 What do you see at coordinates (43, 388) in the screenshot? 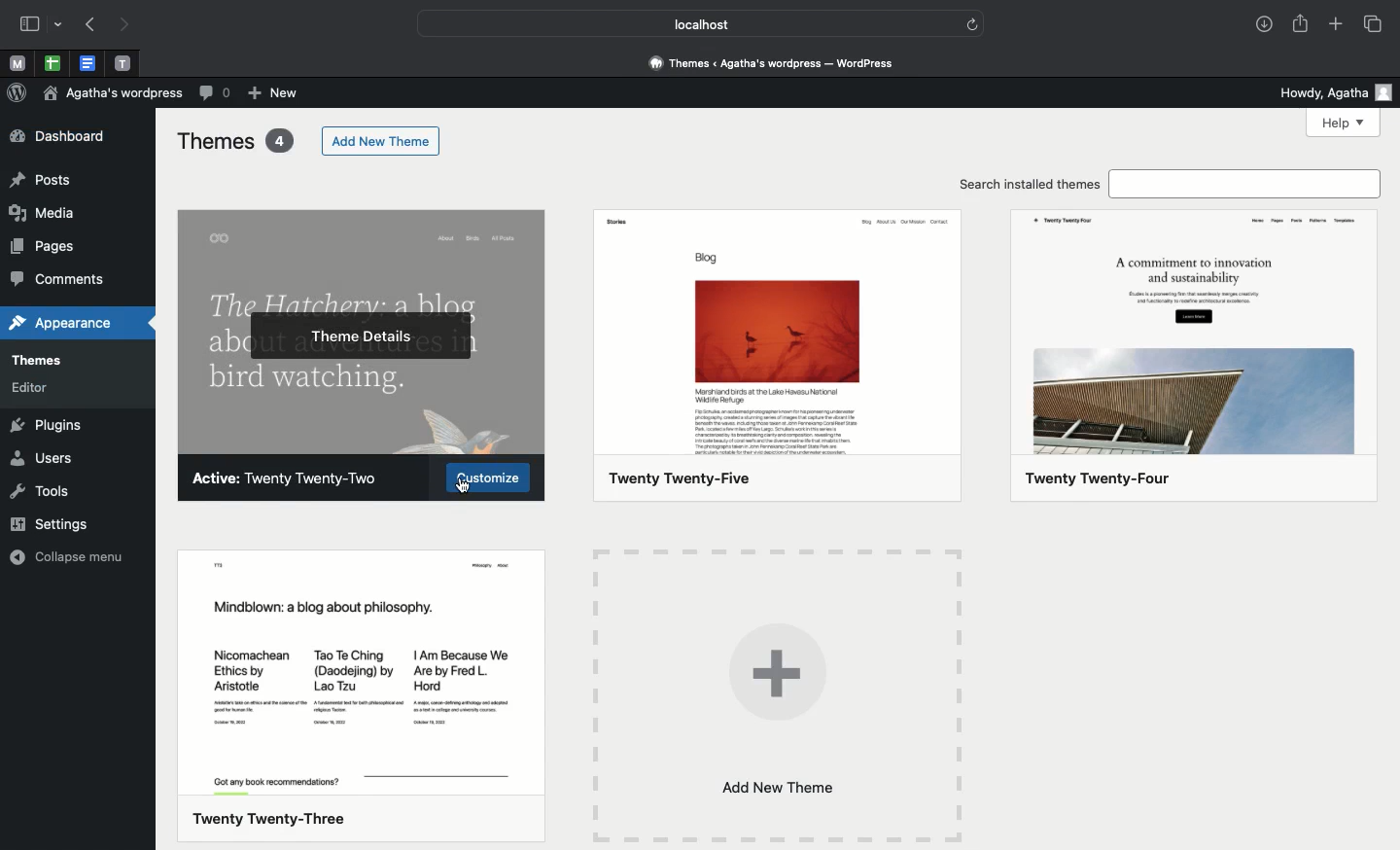
I see `Editor` at bounding box center [43, 388].